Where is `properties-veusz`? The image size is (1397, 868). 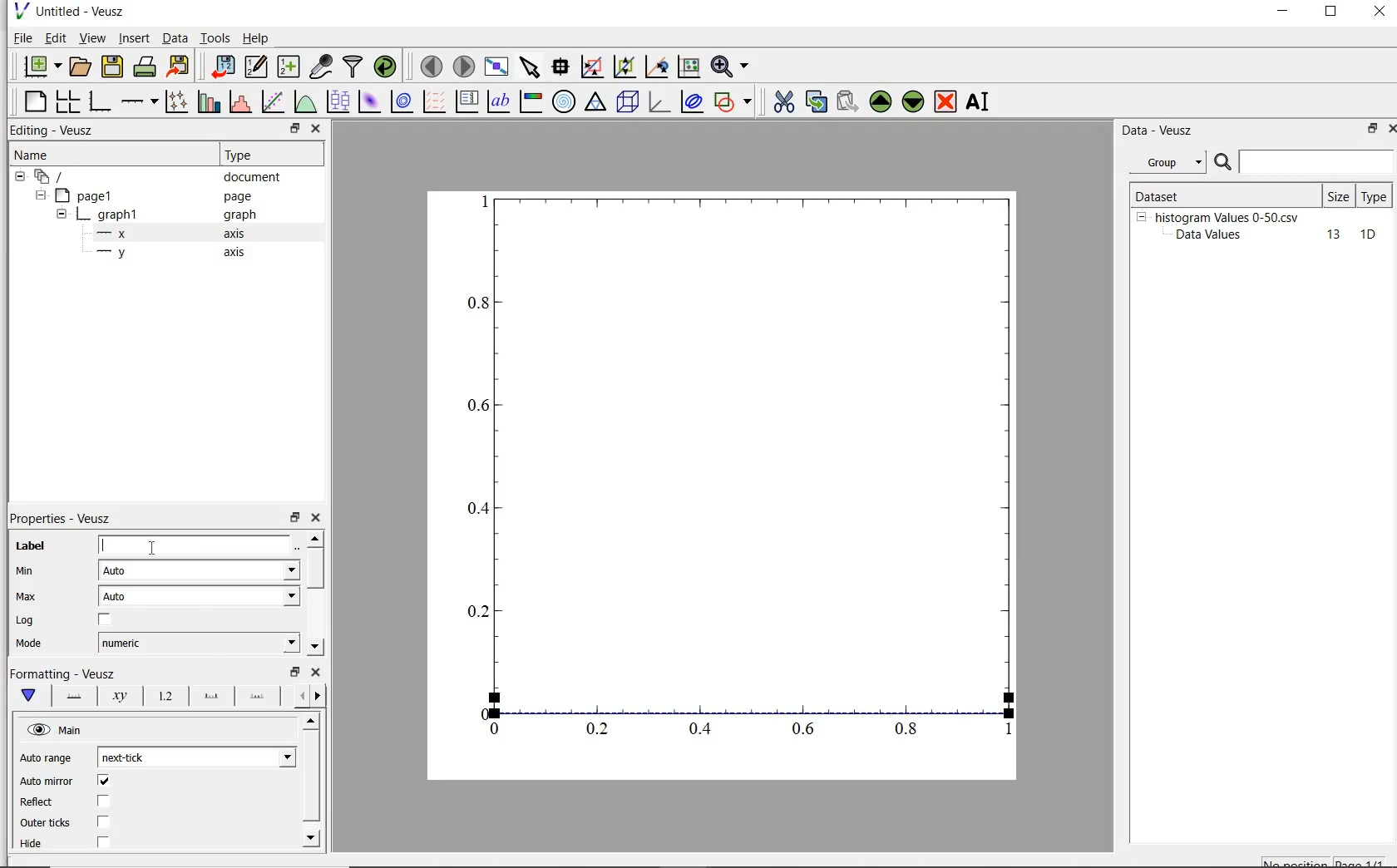 properties-veusz is located at coordinates (61, 519).